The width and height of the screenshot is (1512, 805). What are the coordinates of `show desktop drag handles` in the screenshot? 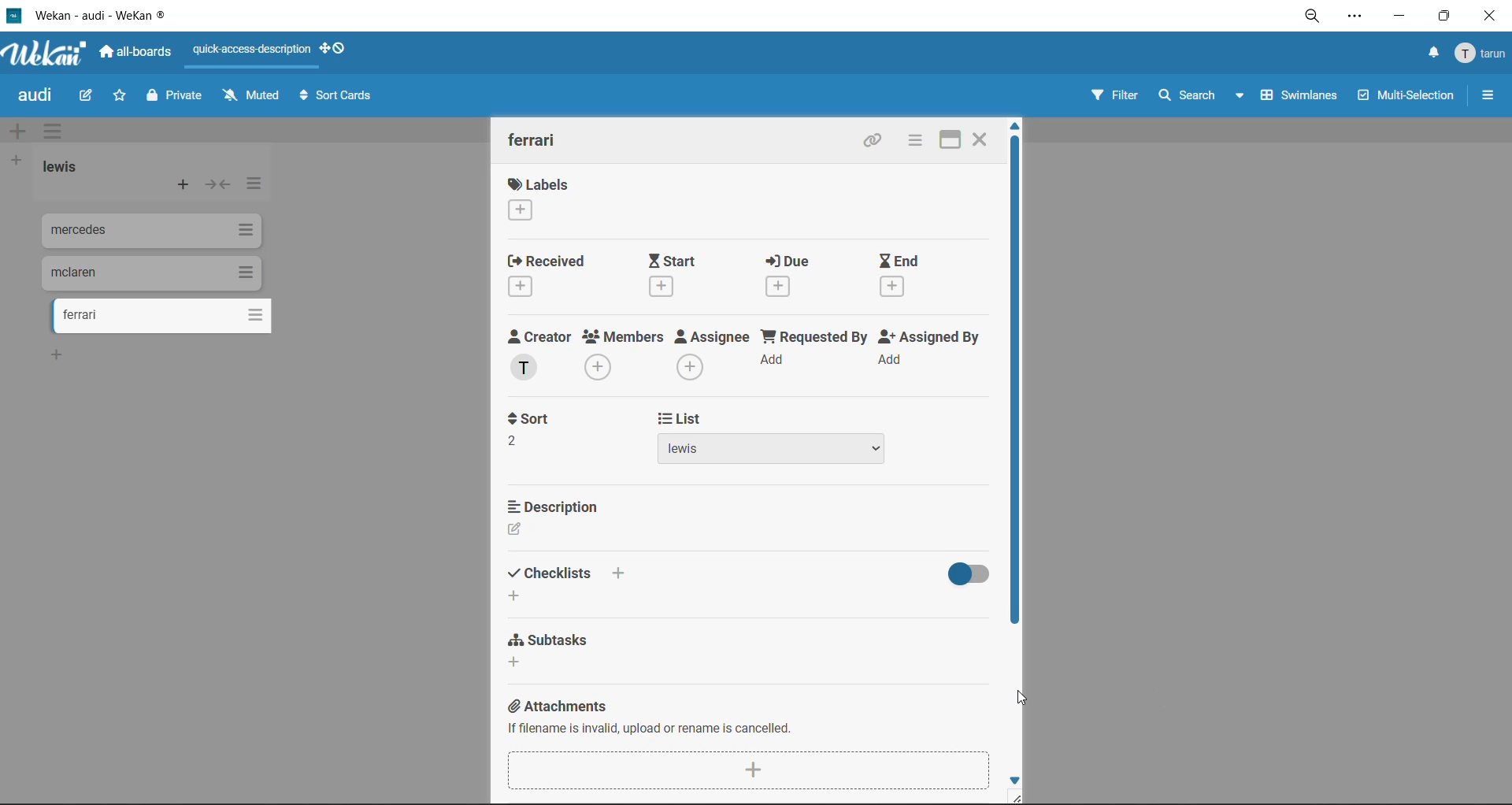 It's located at (335, 50).